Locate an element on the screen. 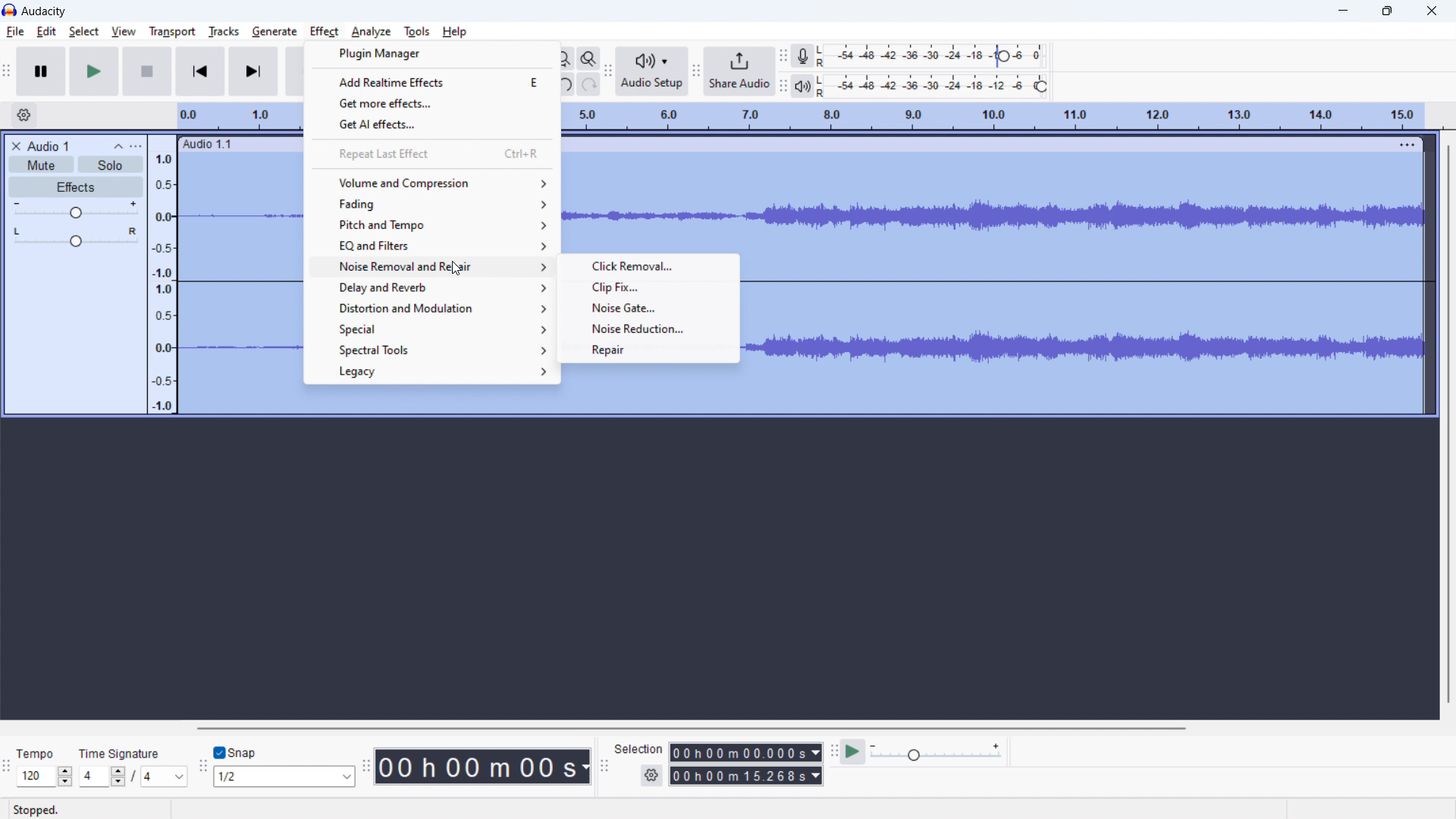 The width and height of the screenshot is (1456, 819). recording meter is located at coordinates (802, 57).